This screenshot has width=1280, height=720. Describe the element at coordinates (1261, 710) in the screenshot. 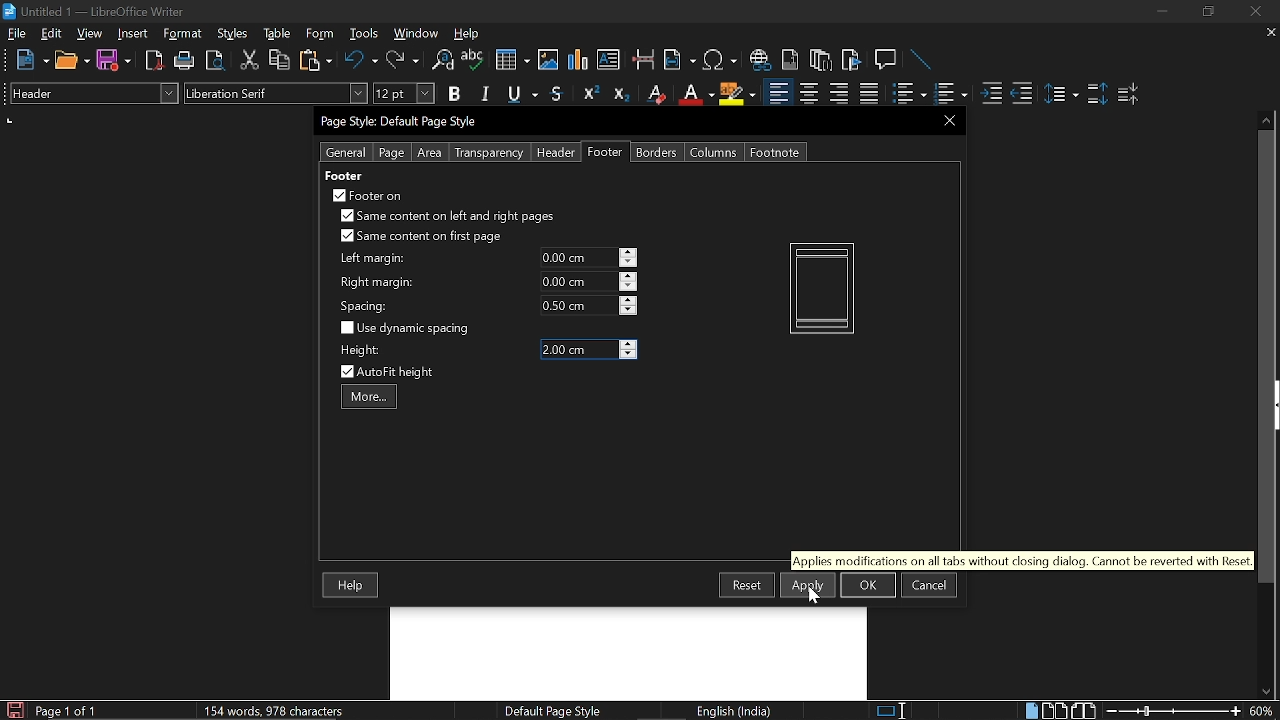

I see `Current zoom hey Cortana` at that location.